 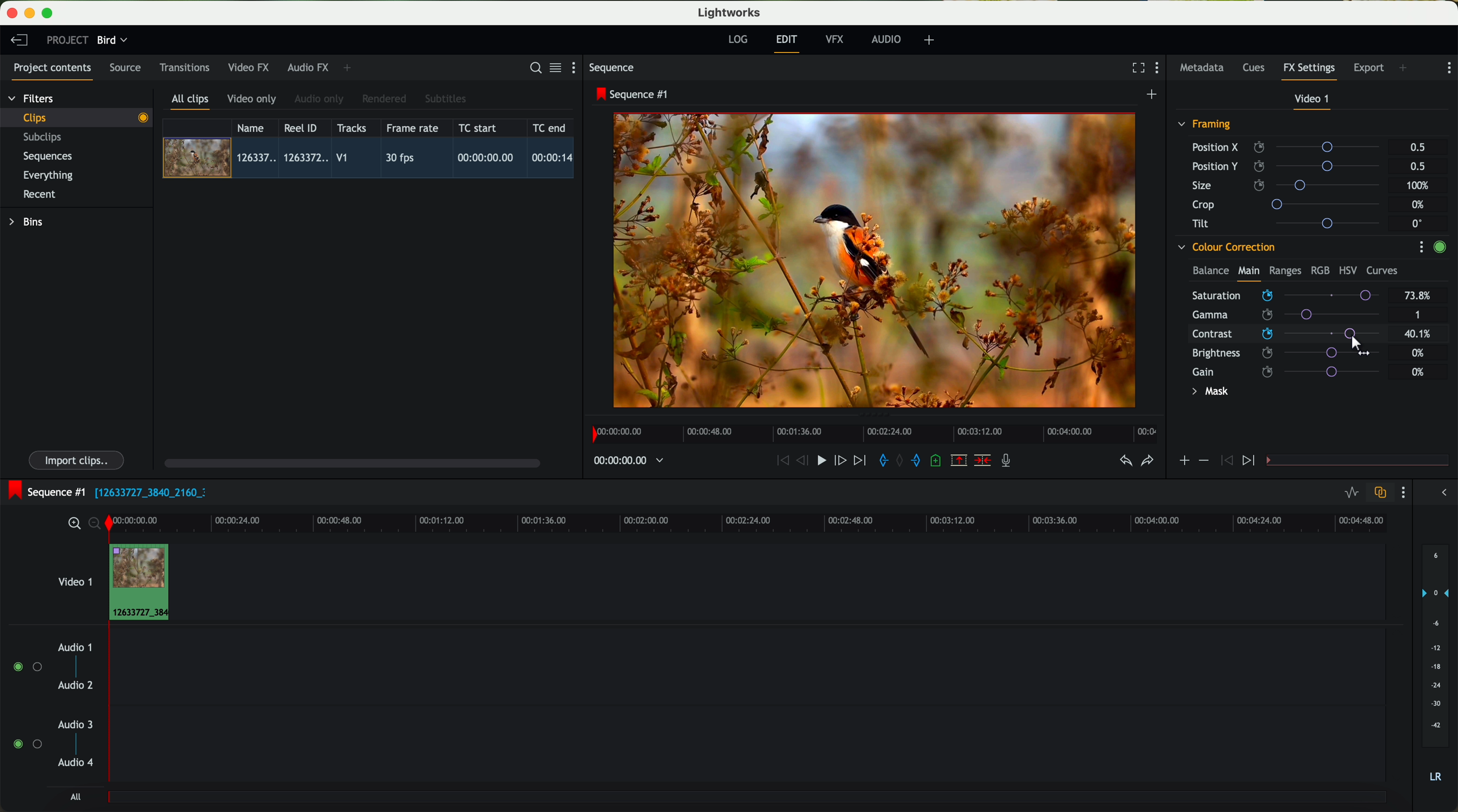 What do you see at coordinates (444, 99) in the screenshot?
I see `subtitles` at bounding box center [444, 99].